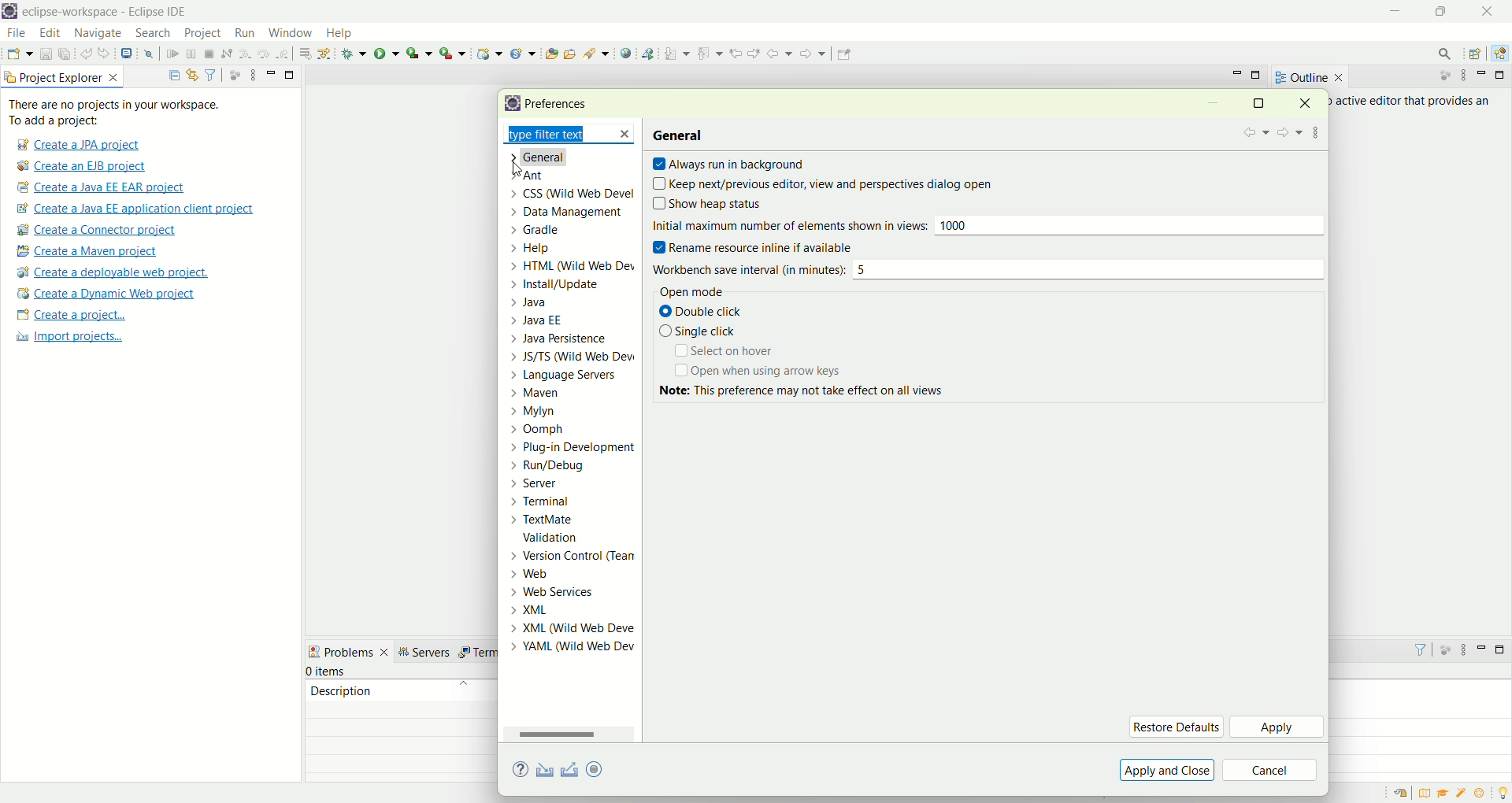 This screenshot has height=803, width=1512. I want to click on show heap status, so click(736, 205).